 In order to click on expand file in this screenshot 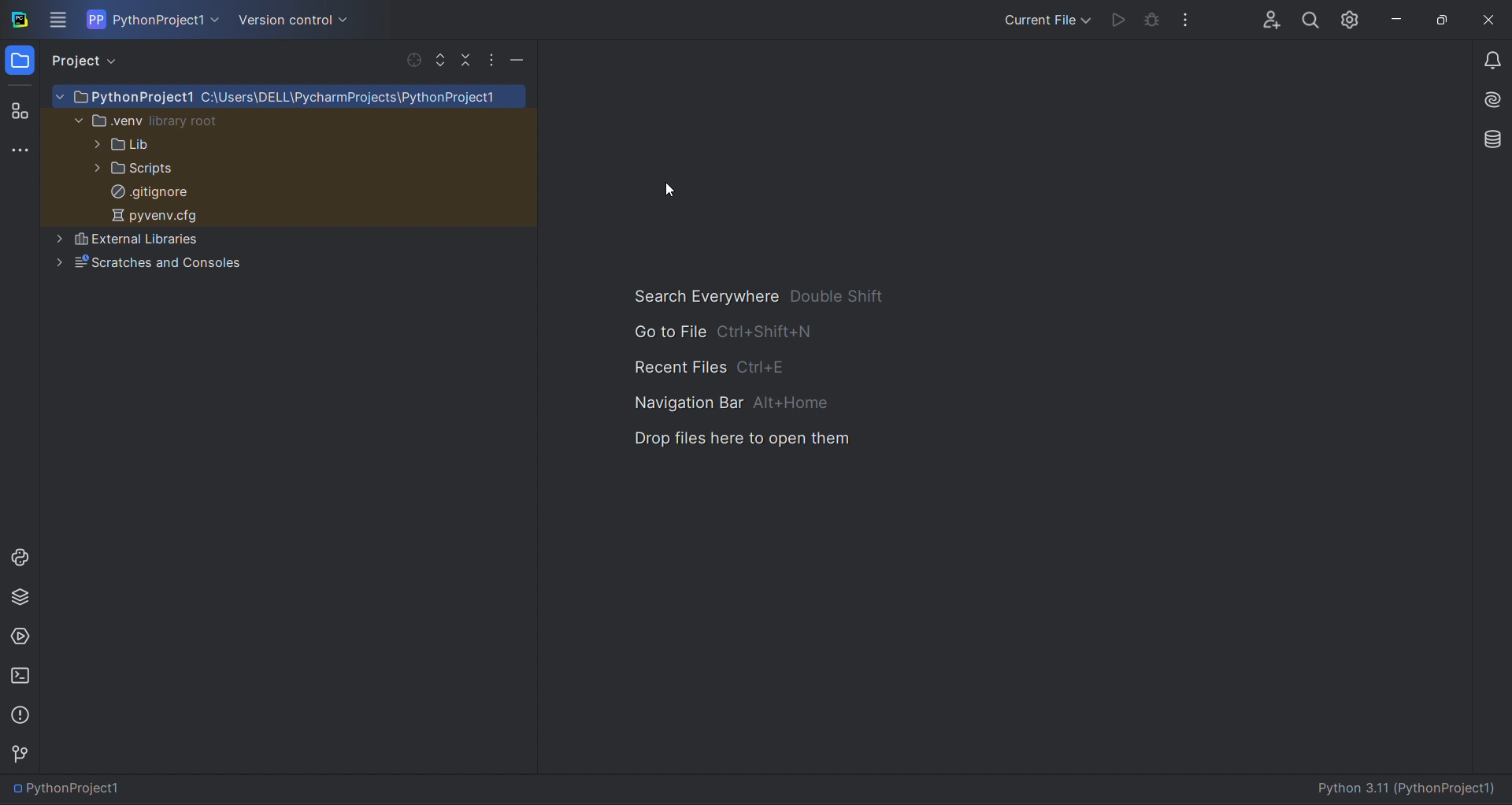, I will do `click(438, 58)`.